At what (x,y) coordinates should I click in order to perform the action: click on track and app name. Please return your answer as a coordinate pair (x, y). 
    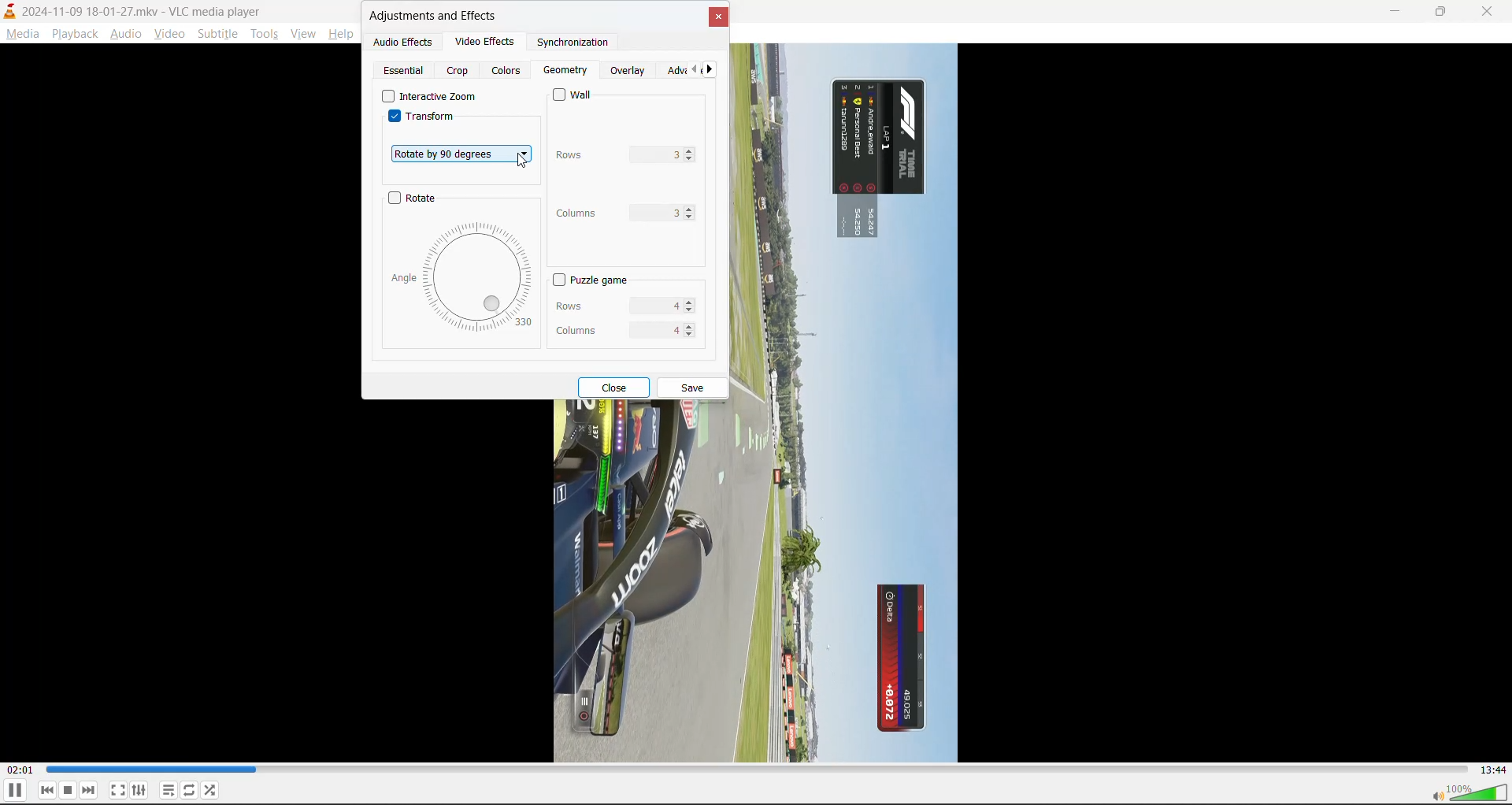
    Looking at the image, I should click on (134, 9).